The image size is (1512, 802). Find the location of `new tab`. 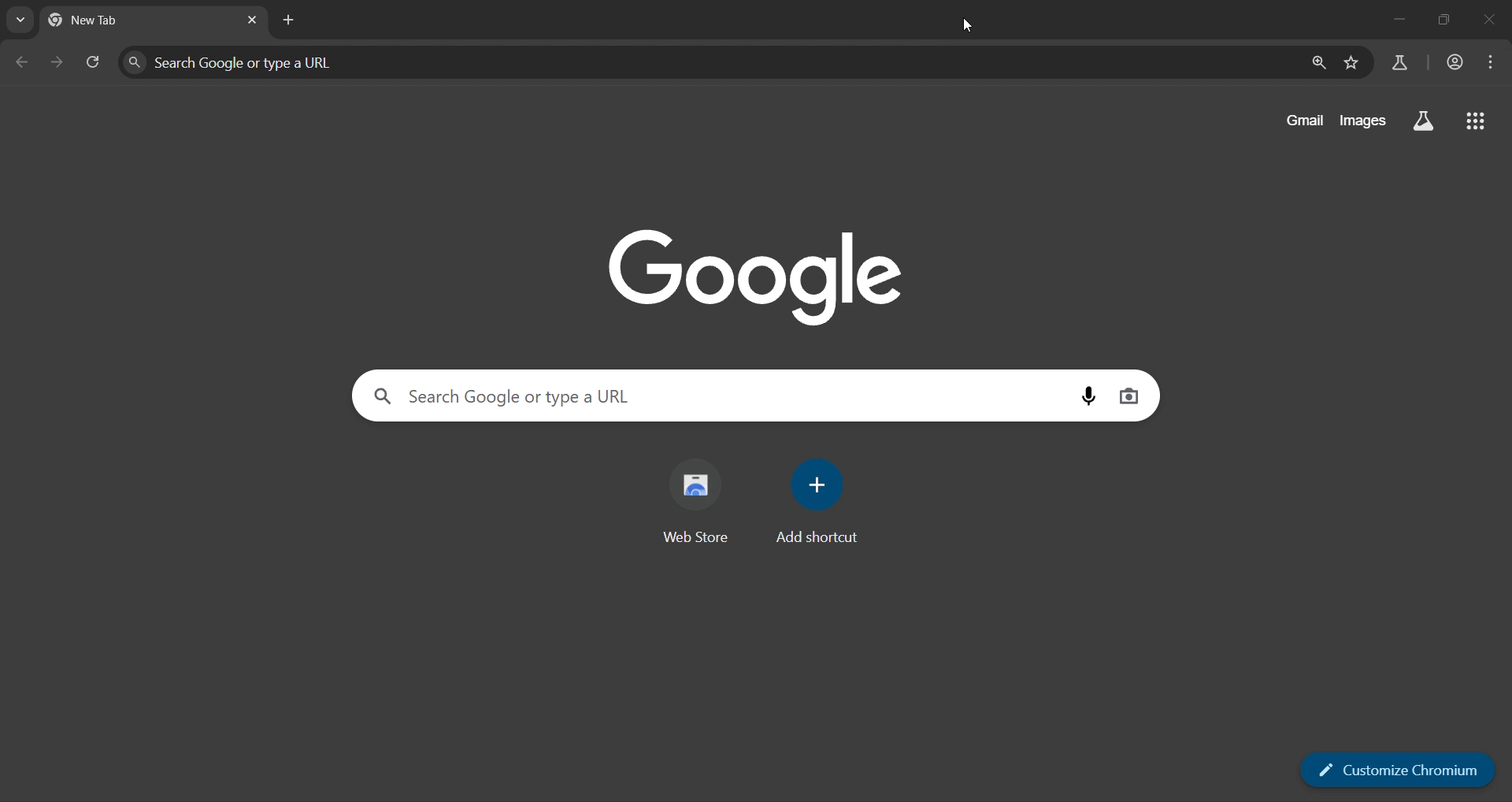

new tab is located at coordinates (290, 20).